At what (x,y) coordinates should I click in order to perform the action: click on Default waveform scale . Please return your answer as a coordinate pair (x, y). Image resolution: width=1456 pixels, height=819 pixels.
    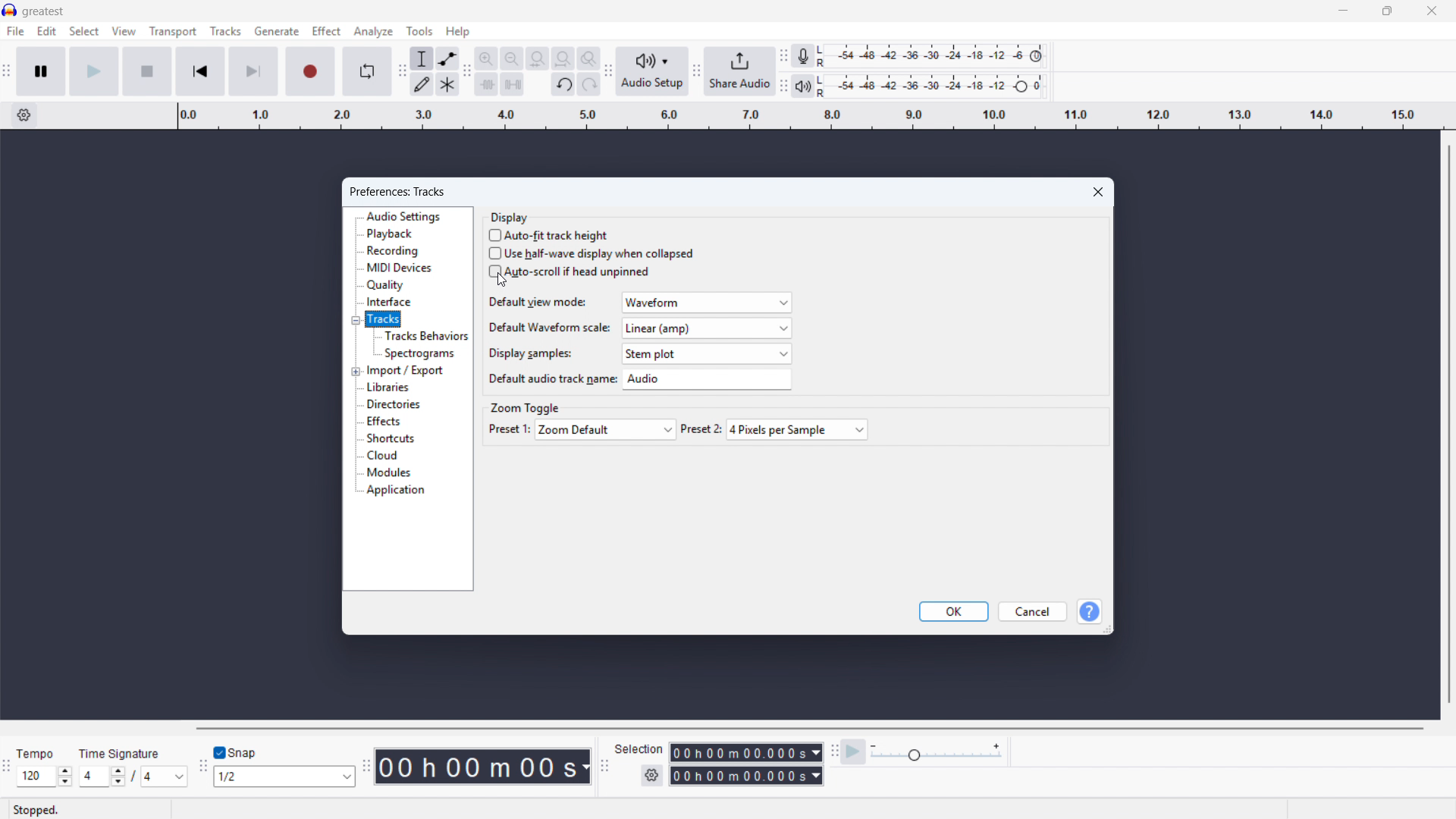
    Looking at the image, I should click on (708, 328).